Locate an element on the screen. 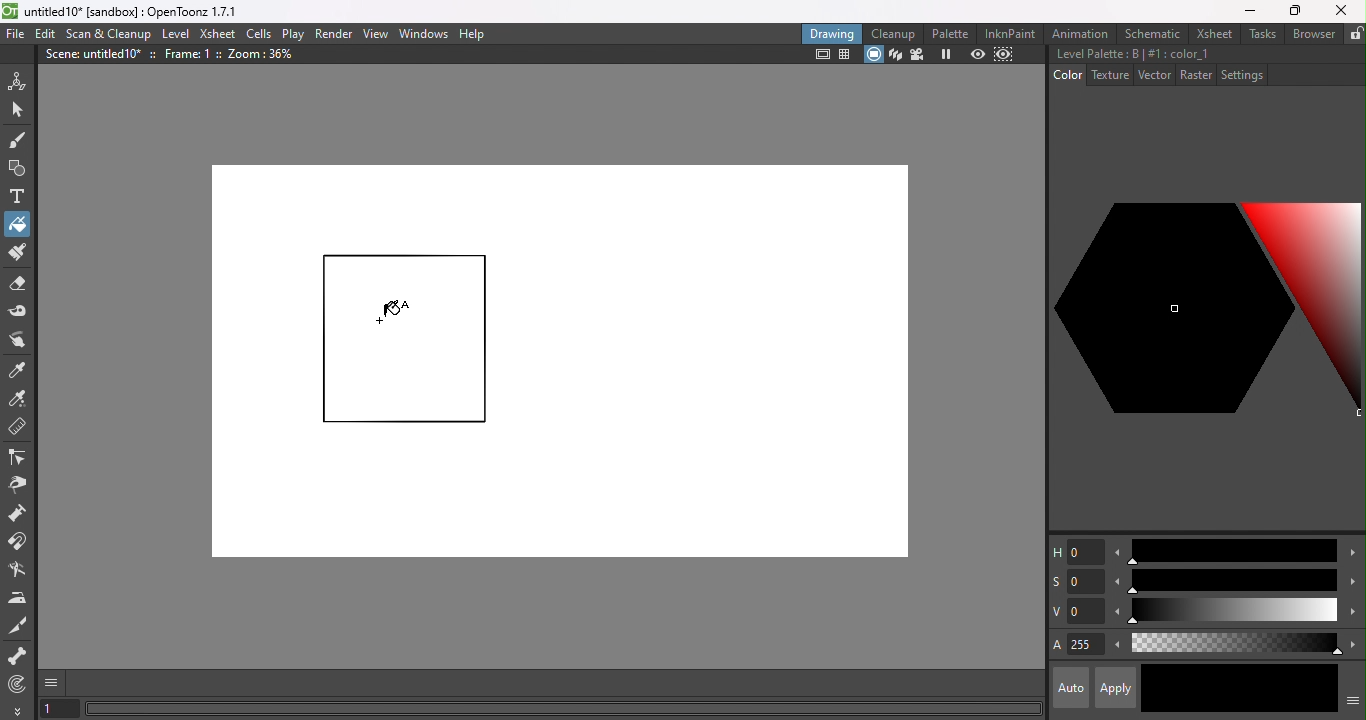 The height and width of the screenshot is (720, 1366). Tape tool is located at coordinates (19, 314).